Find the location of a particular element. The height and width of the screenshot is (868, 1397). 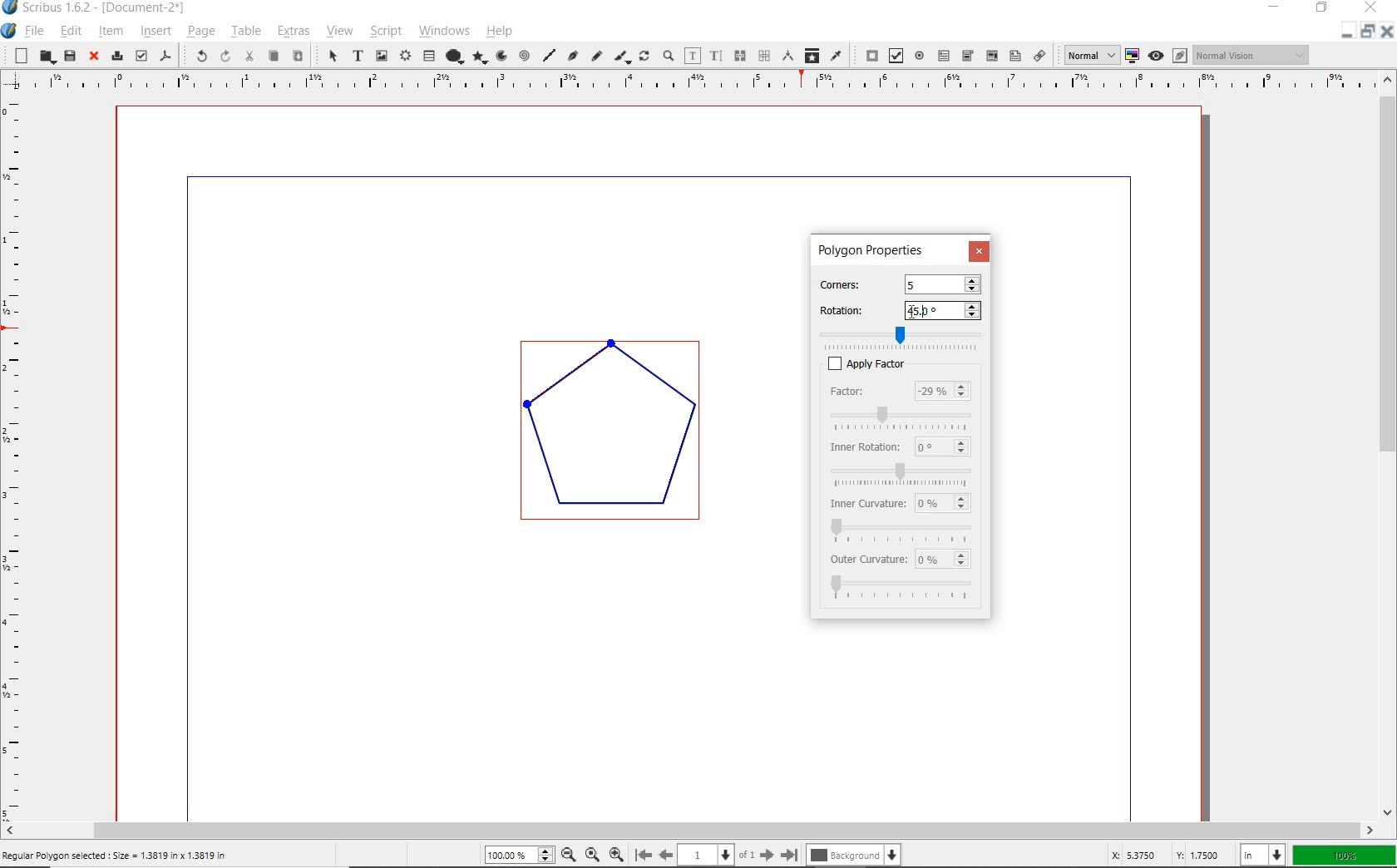

preflight verifier is located at coordinates (141, 55).